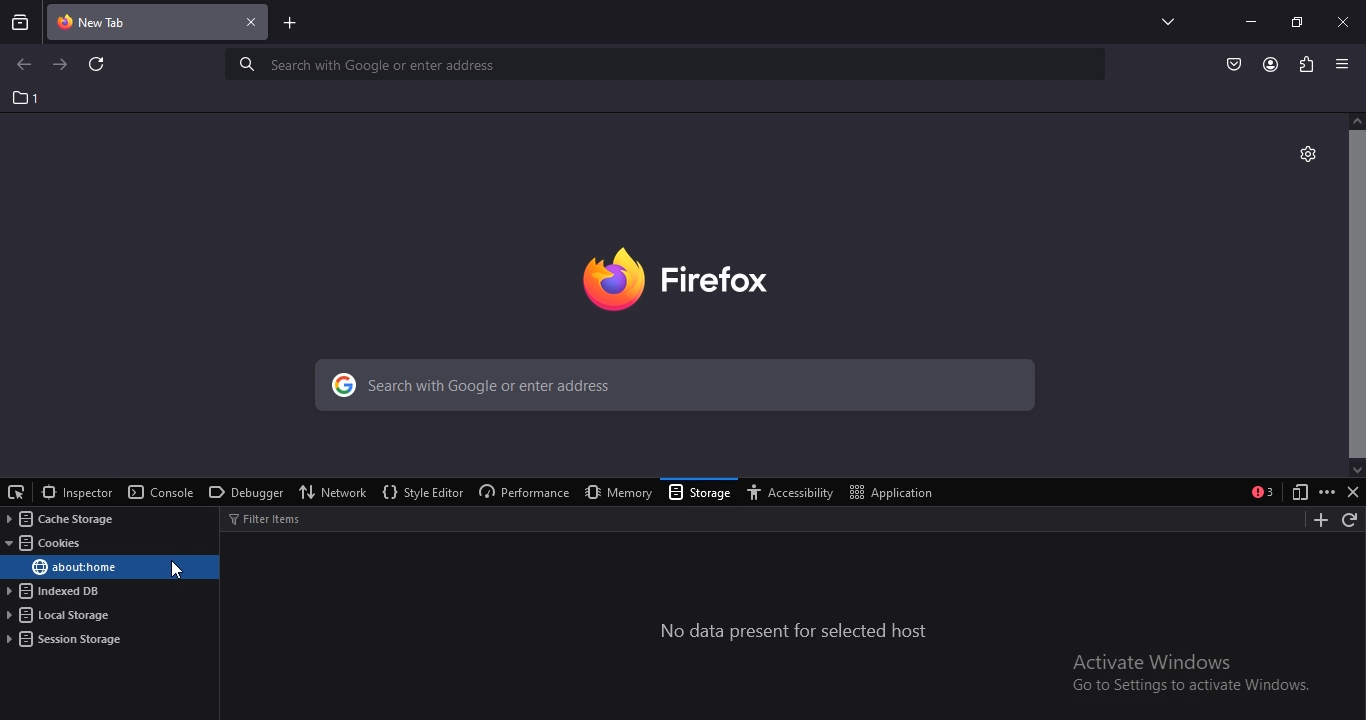  What do you see at coordinates (521, 493) in the screenshot?
I see `performance` at bounding box center [521, 493].